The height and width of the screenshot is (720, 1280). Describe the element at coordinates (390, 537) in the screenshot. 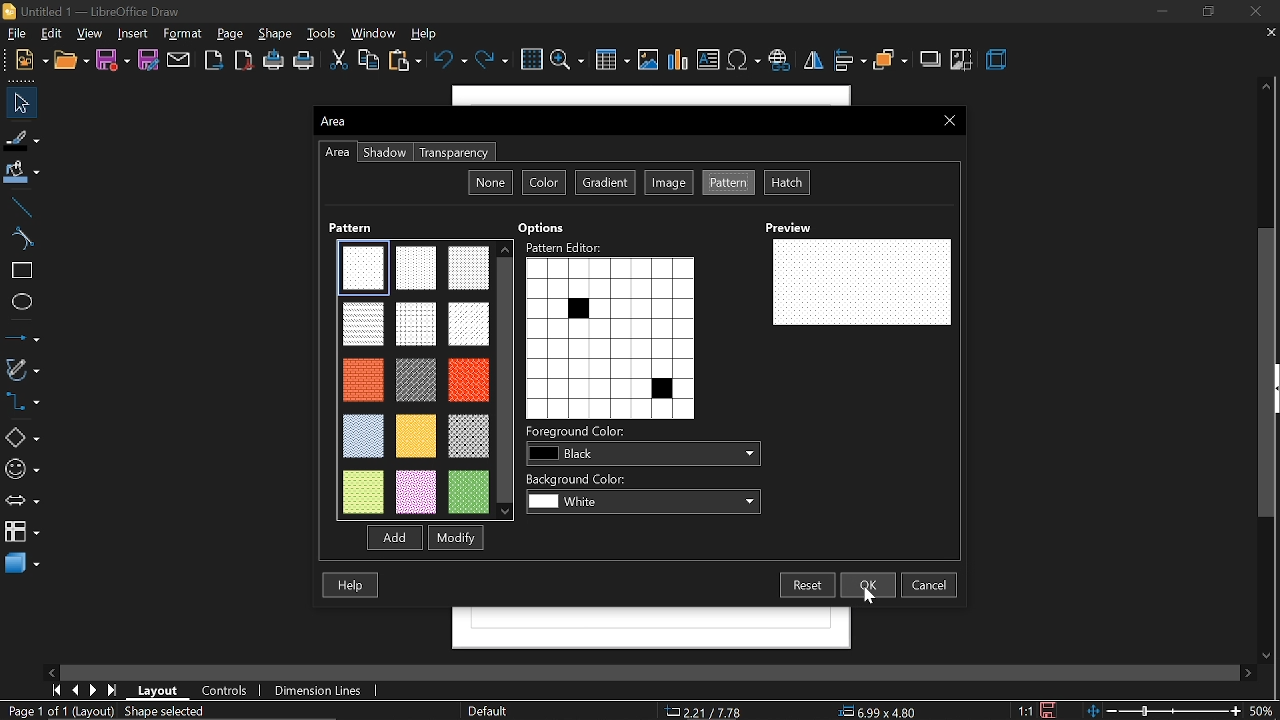

I see `add ` at that location.